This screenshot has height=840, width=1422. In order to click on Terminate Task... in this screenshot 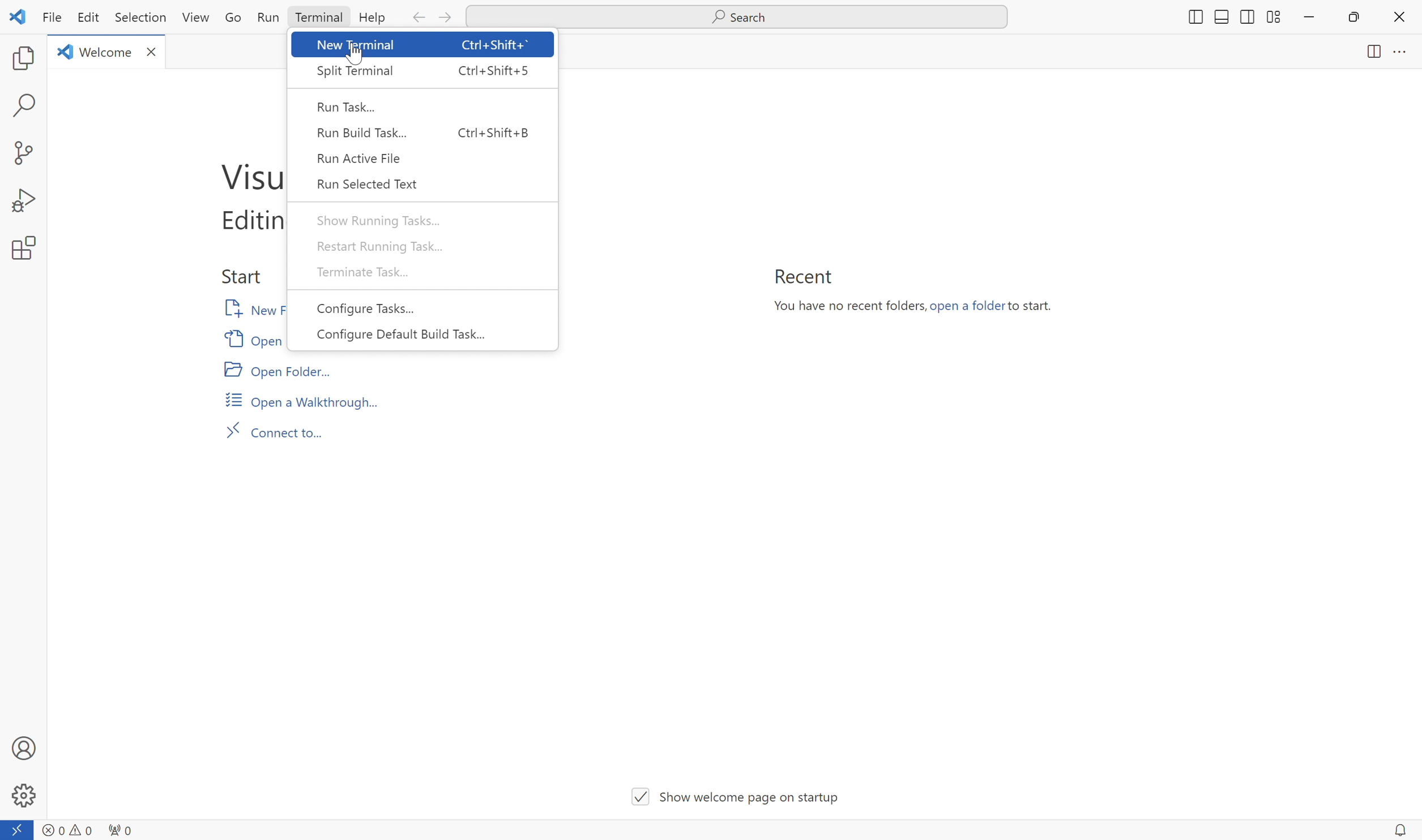, I will do `click(368, 271)`.